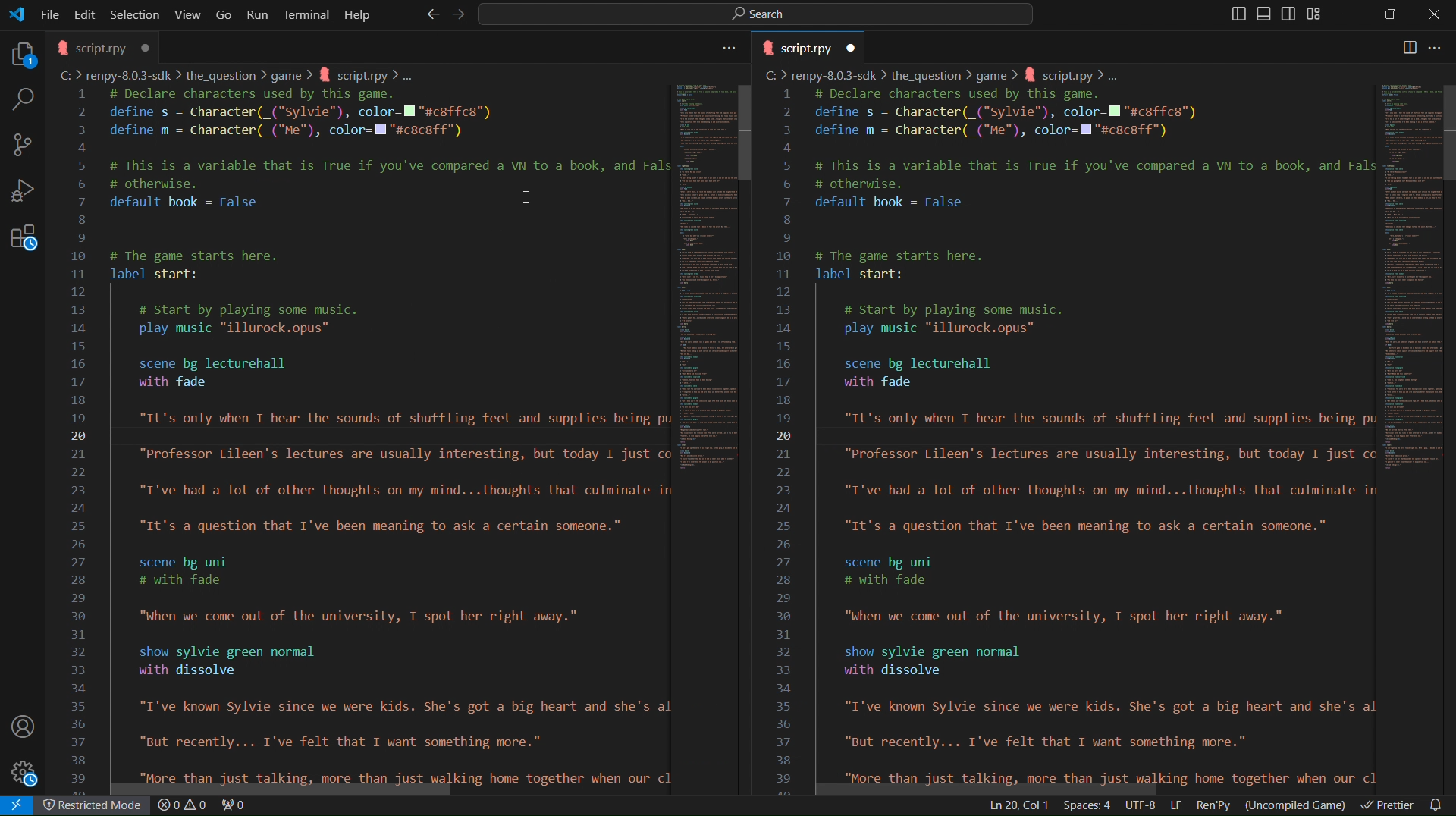 The width and height of the screenshot is (1456, 816). What do you see at coordinates (1216, 805) in the screenshot?
I see `Ren'Py` at bounding box center [1216, 805].